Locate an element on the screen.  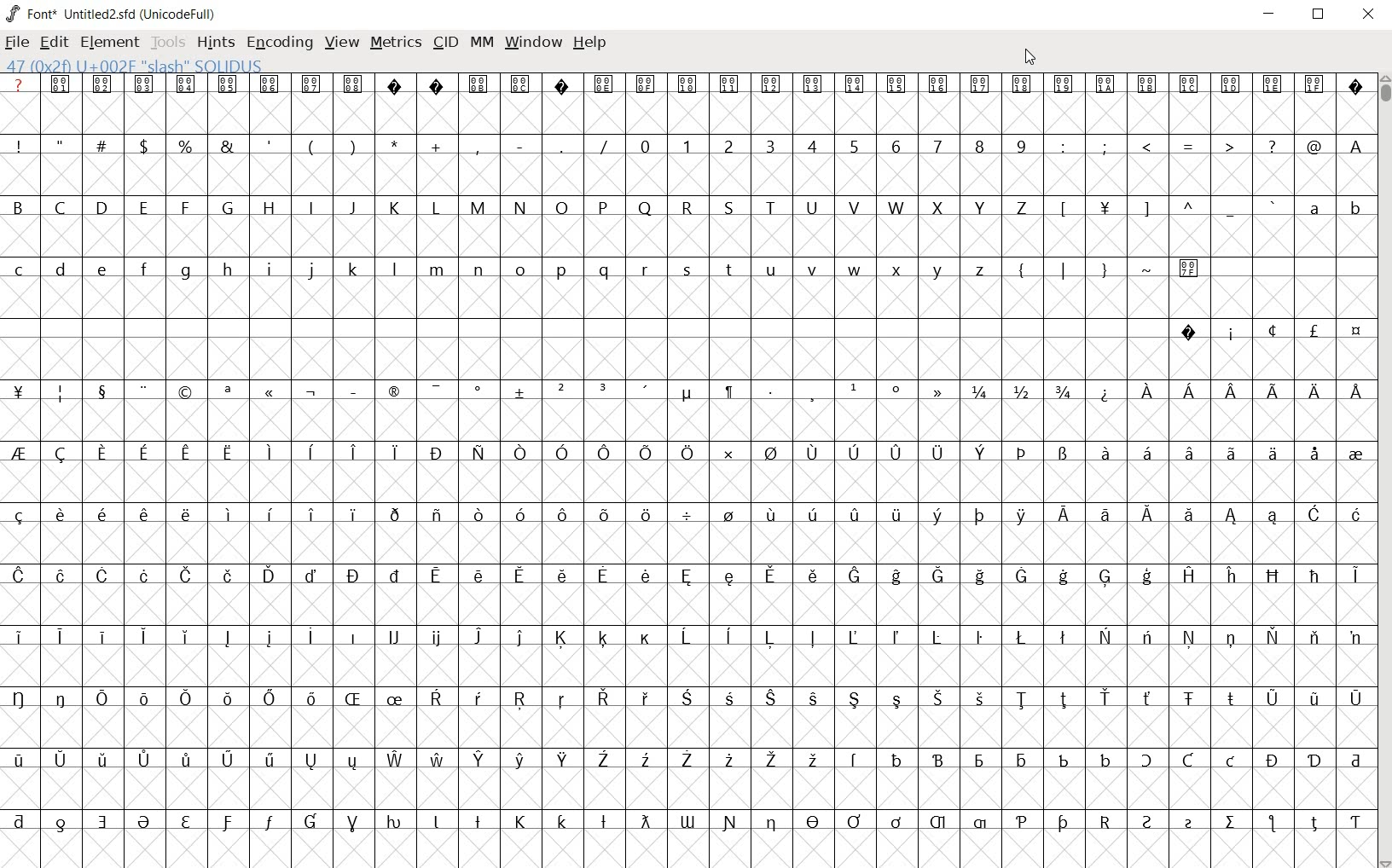
FONT* UNTITLED2.SFD (UNICODEFULL) is located at coordinates (111, 13).